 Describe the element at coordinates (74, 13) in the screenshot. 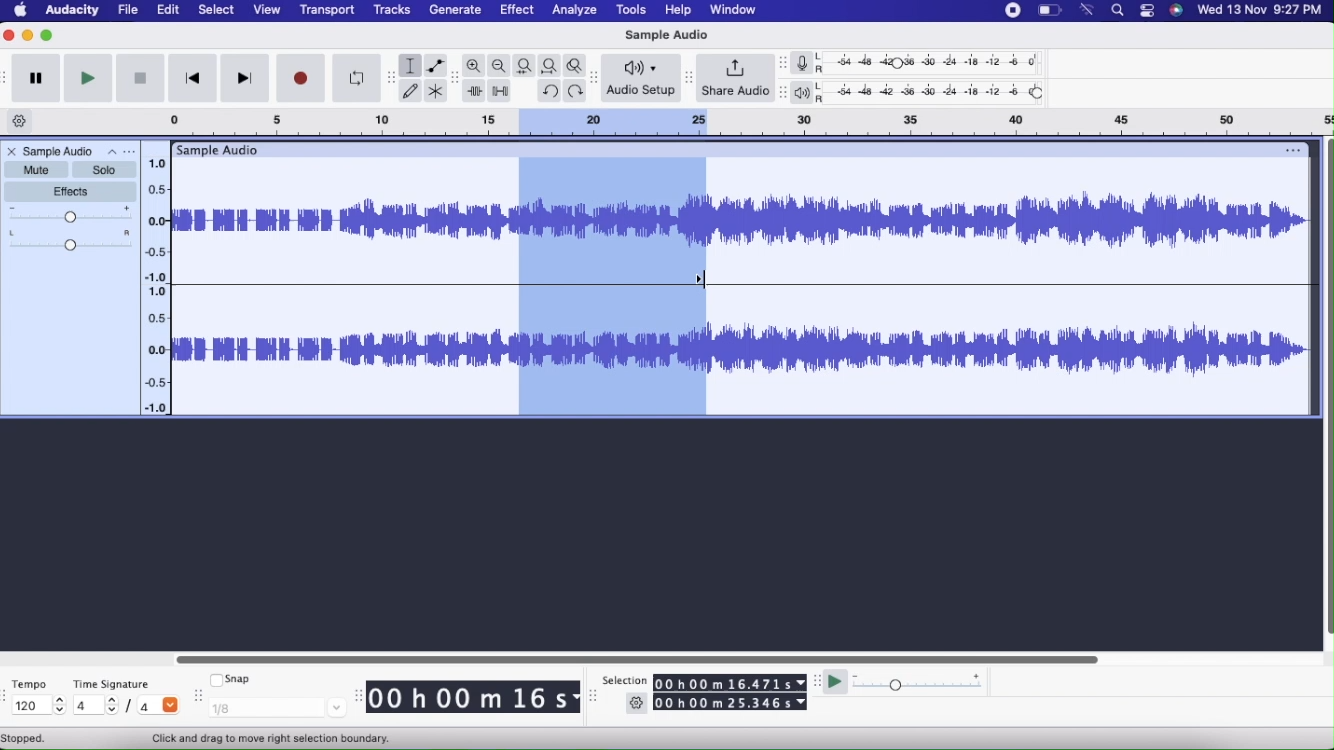

I see `Audacity` at that location.